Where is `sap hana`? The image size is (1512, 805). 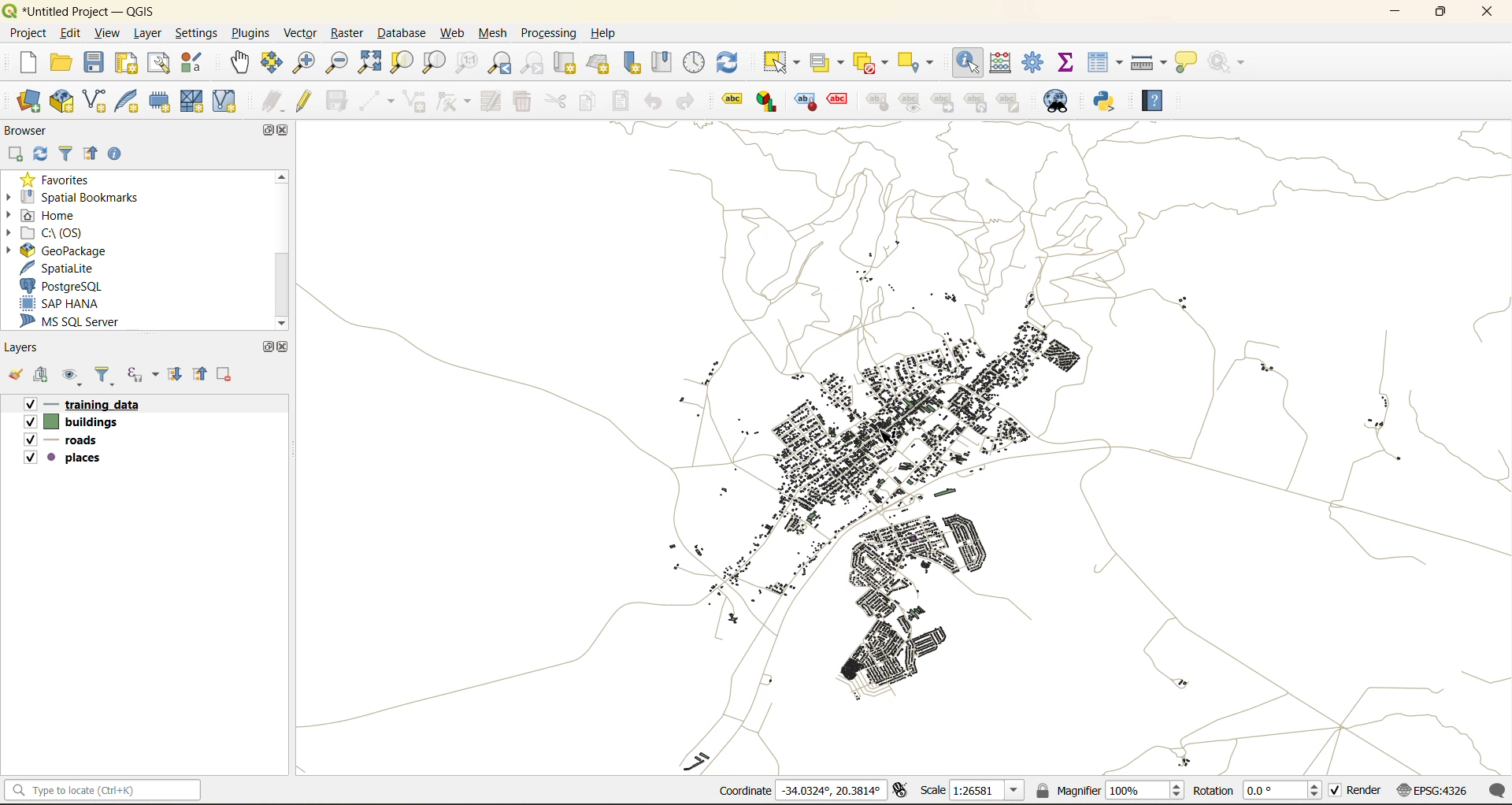 sap hana is located at coordinates (74, 304).